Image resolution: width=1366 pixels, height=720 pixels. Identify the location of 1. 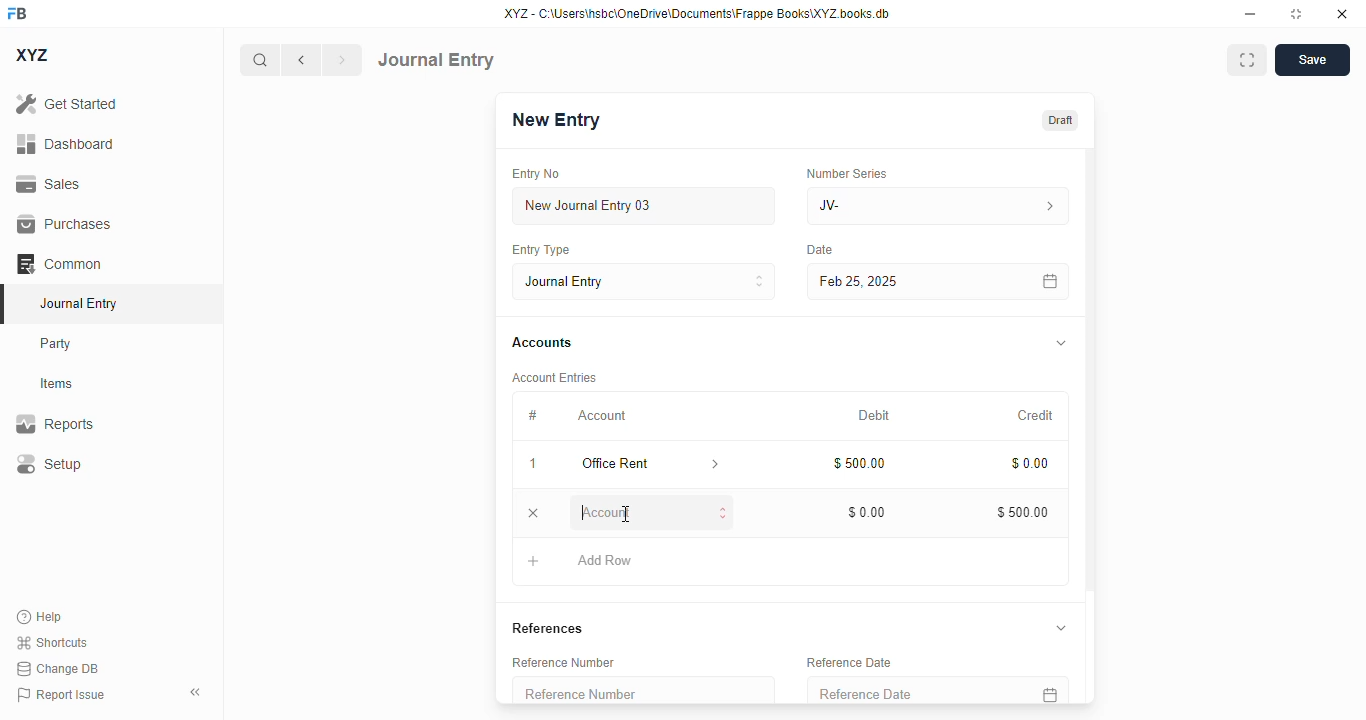
(533, 464).